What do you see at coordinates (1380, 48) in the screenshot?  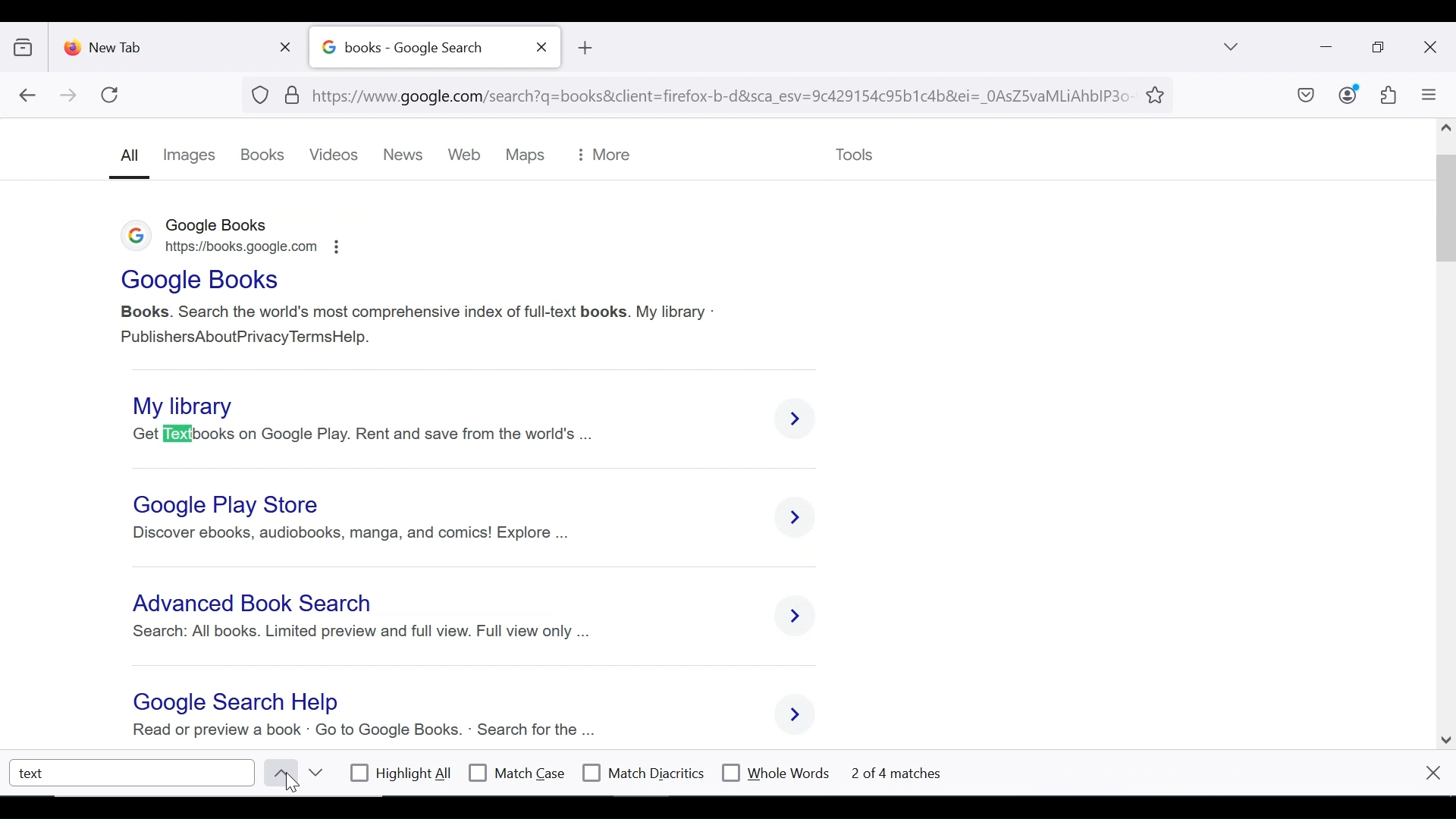 I see `restore` at bounding box center [1380, 48].